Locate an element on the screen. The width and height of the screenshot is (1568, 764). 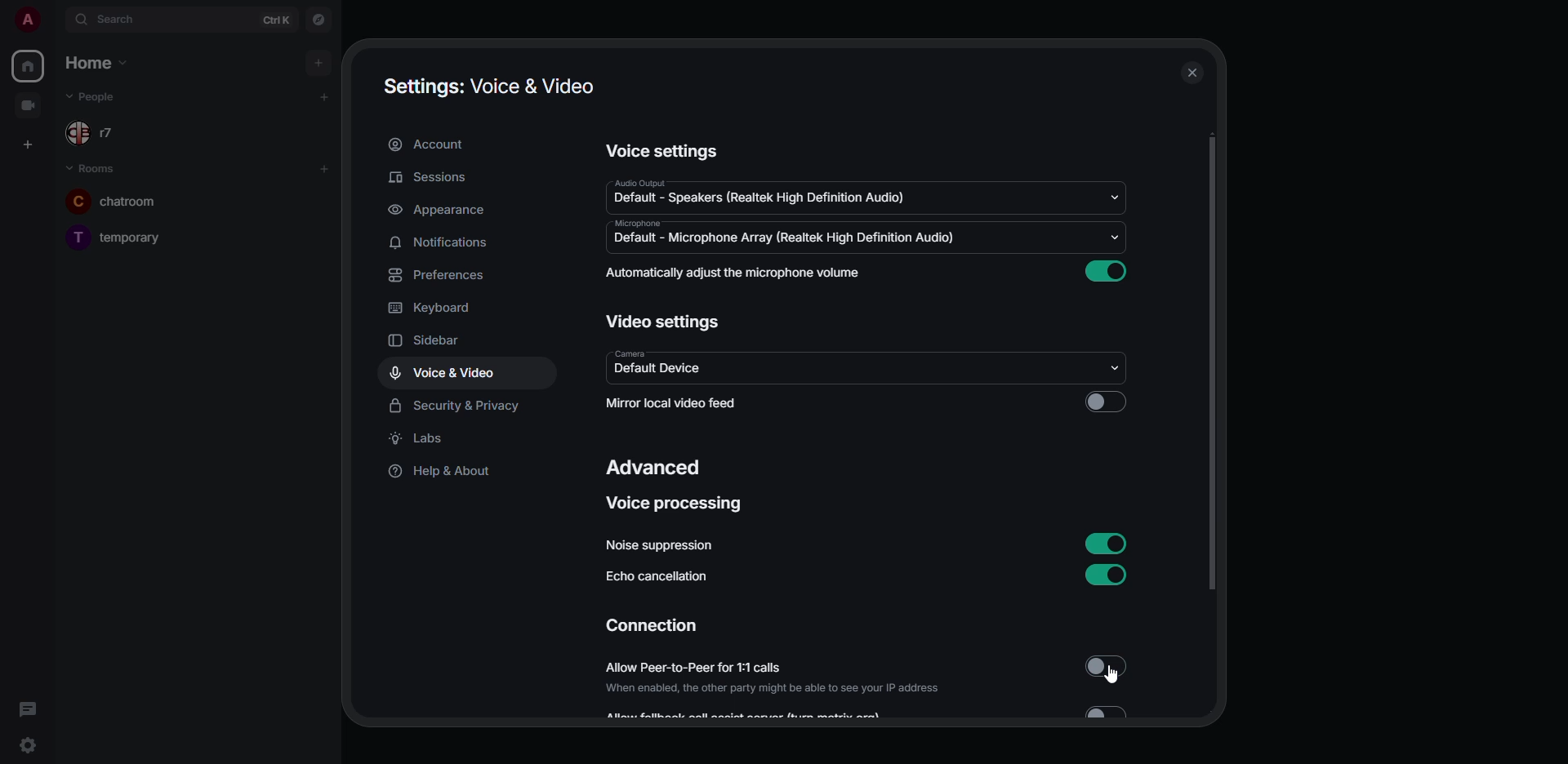
allow peer-to-peer for 1:1 calls is located at coordinates (772, 677).